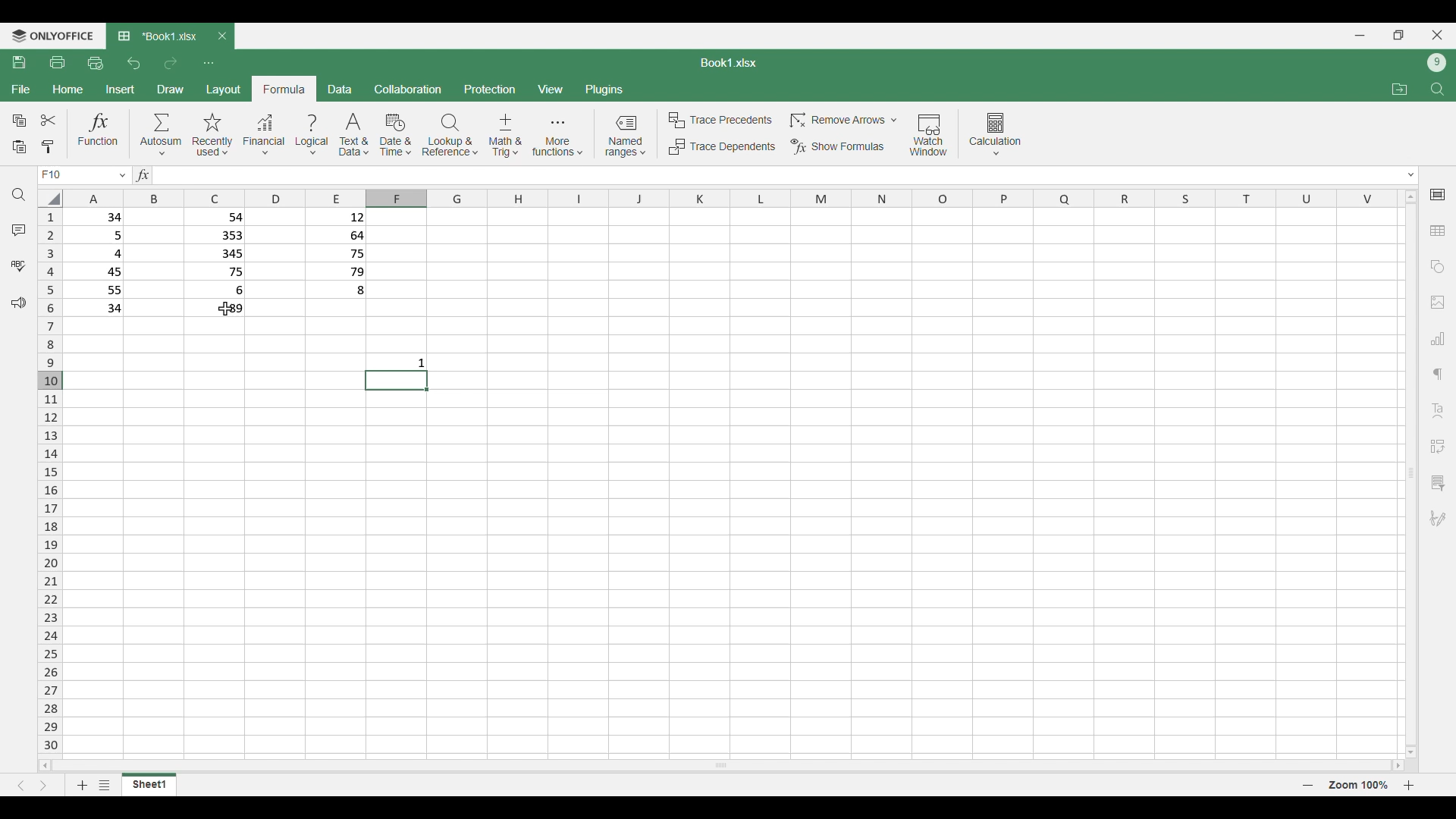 This screenshot has height=819, width=1456. I want to click on Current sheet, so click(149, 784).